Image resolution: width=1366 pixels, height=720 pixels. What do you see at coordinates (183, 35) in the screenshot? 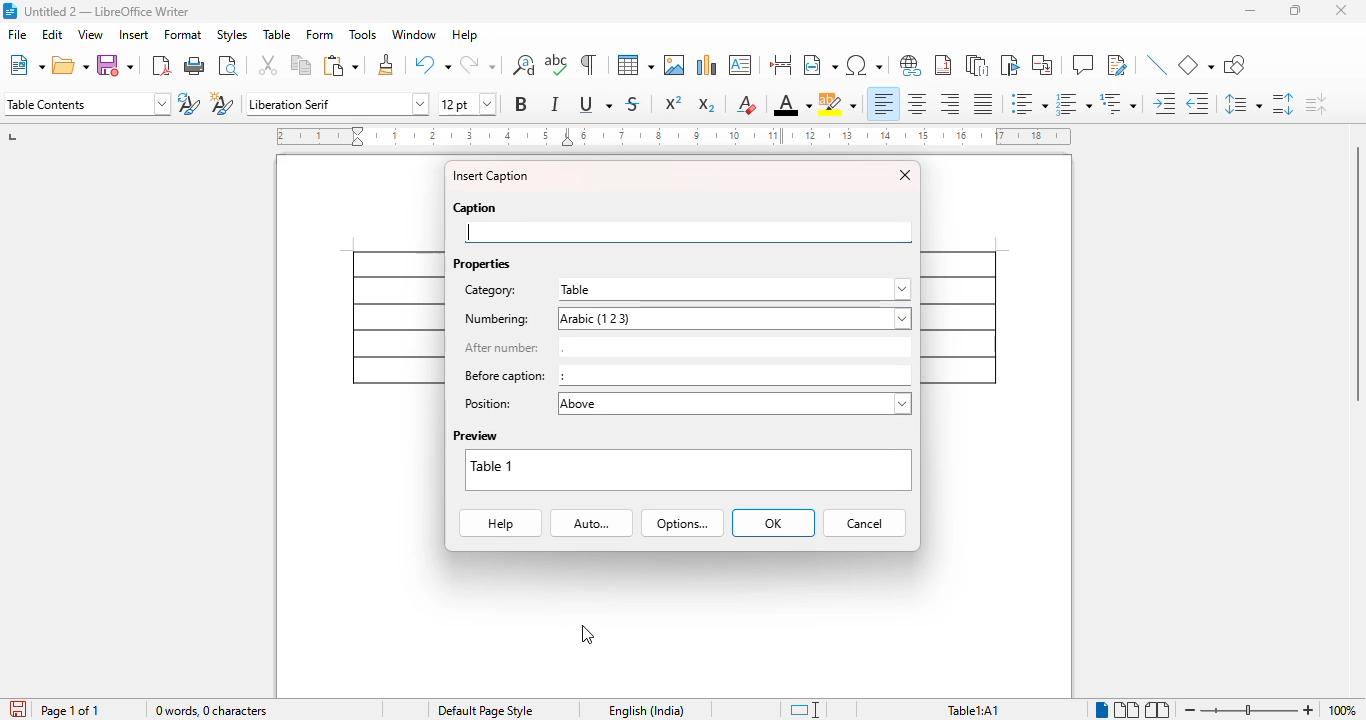
I see `format` at bounding box center [183, 35].